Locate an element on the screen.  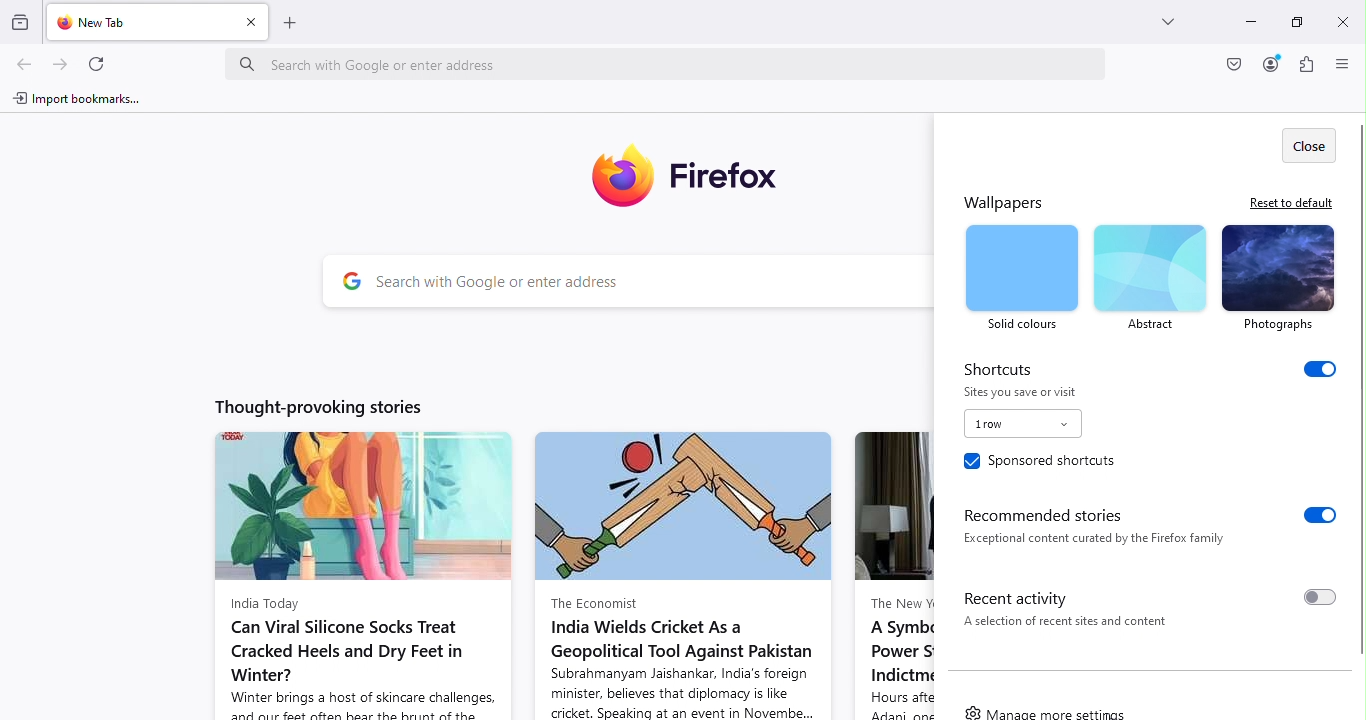
Sites you save or visit is located at coordinates (1021, 393).